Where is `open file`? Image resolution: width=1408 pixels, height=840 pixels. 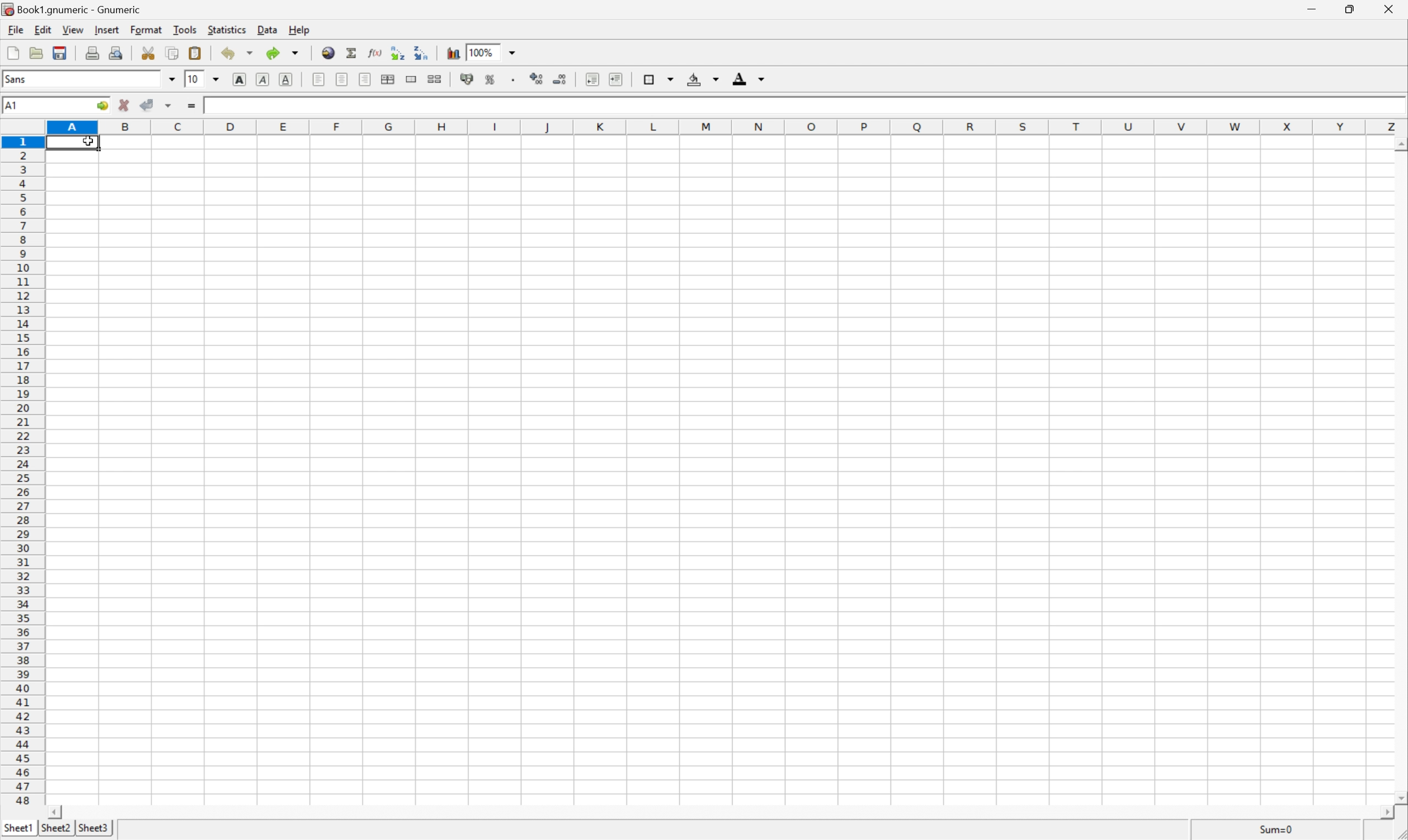 open file is located at coordinates (38, 51).